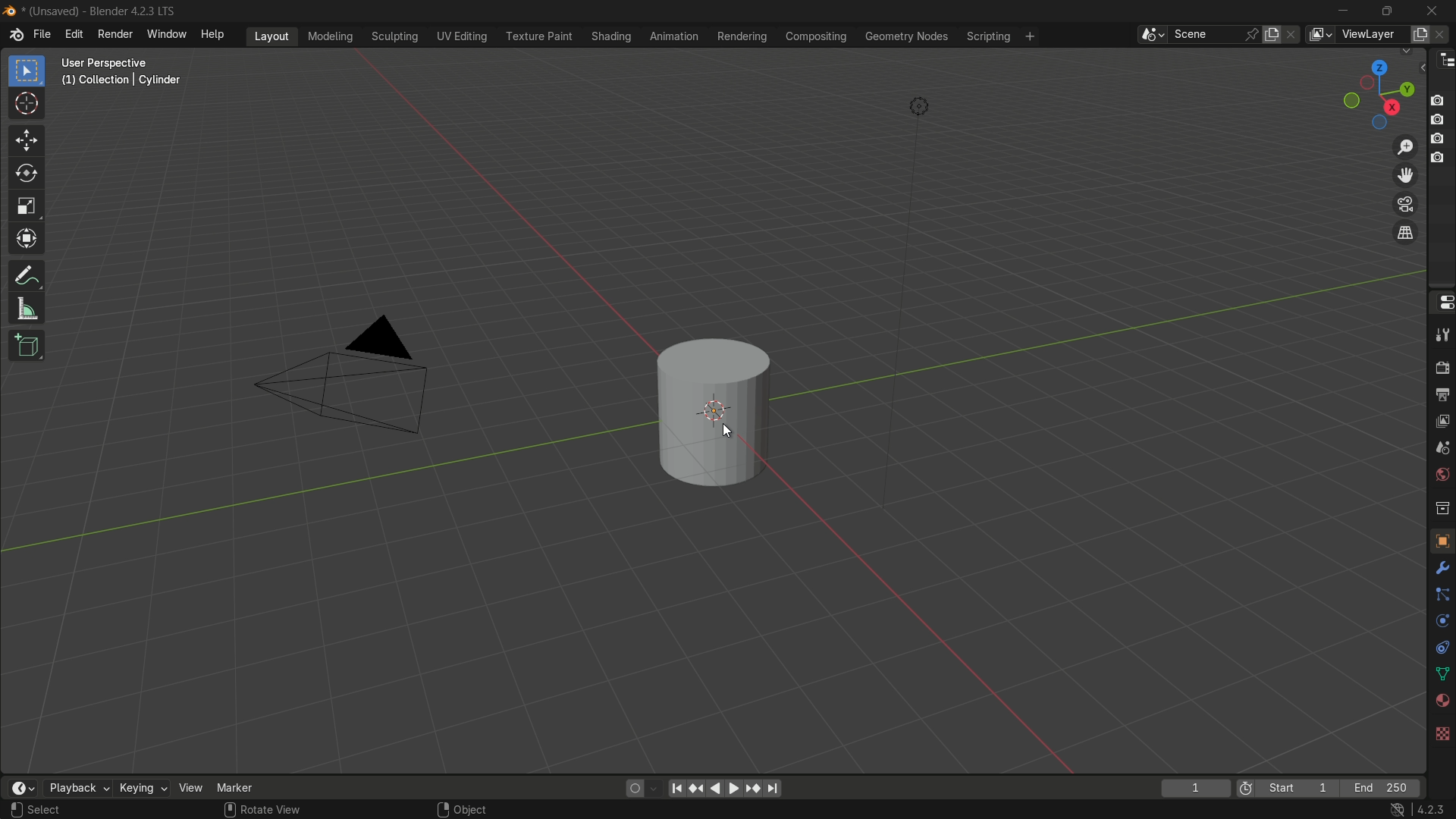 Image resolution: width=1456 pixels, height=819 pixels. I want to click on Select, so click(48, 811).